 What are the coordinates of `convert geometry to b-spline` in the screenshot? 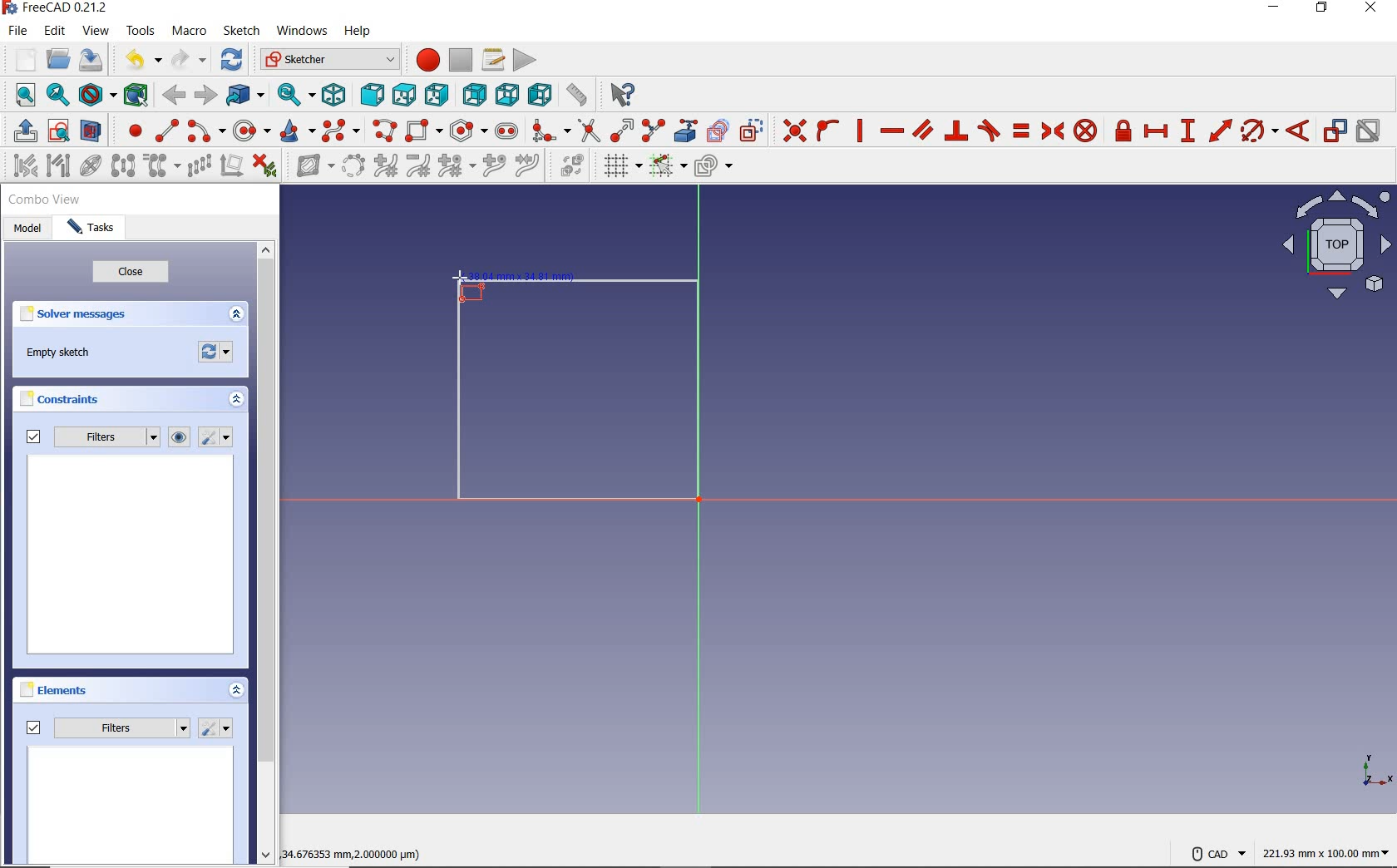 It's located at (353, 165).